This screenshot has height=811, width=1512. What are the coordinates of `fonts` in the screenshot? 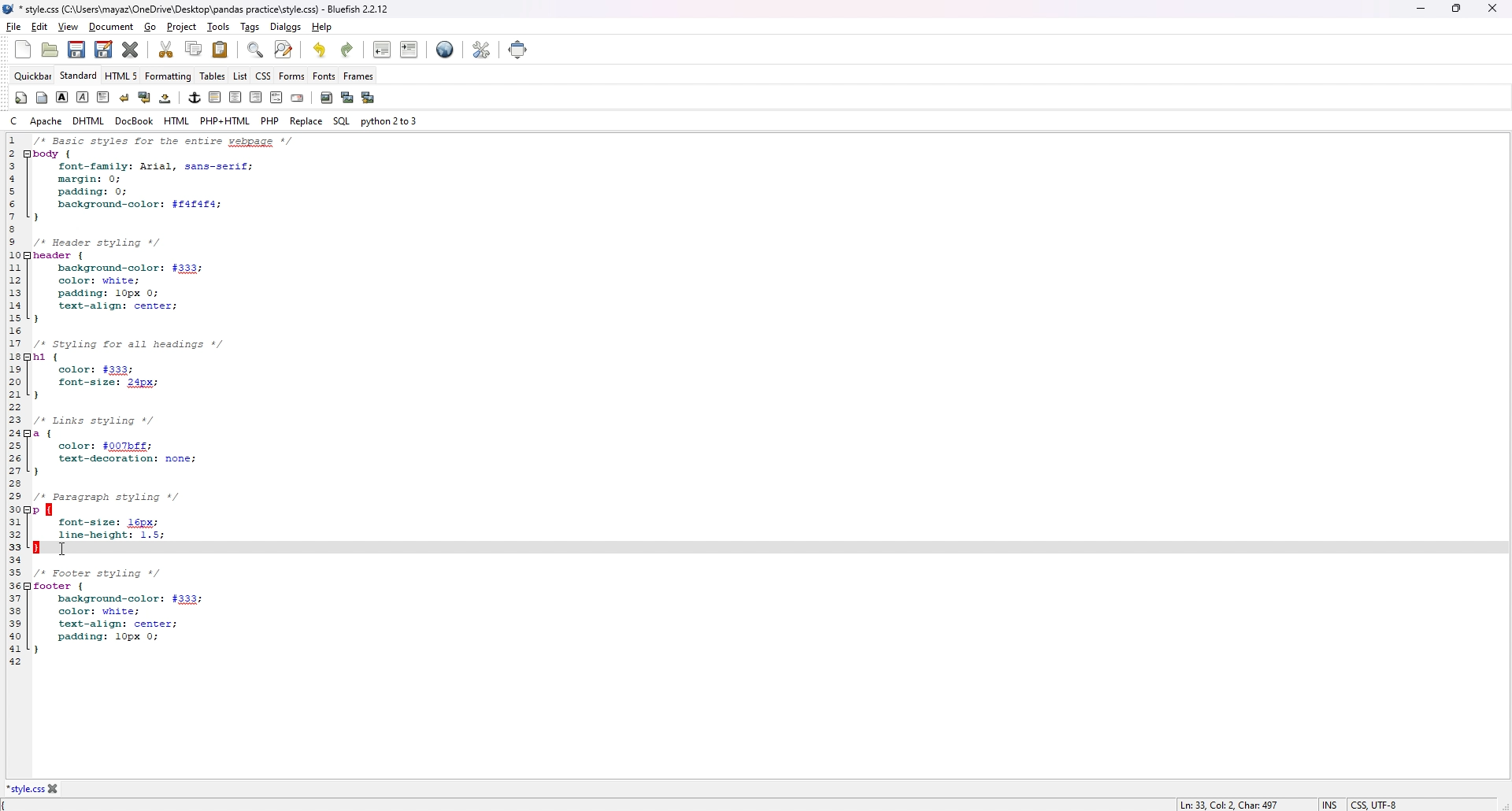 It's located at (324, 76).